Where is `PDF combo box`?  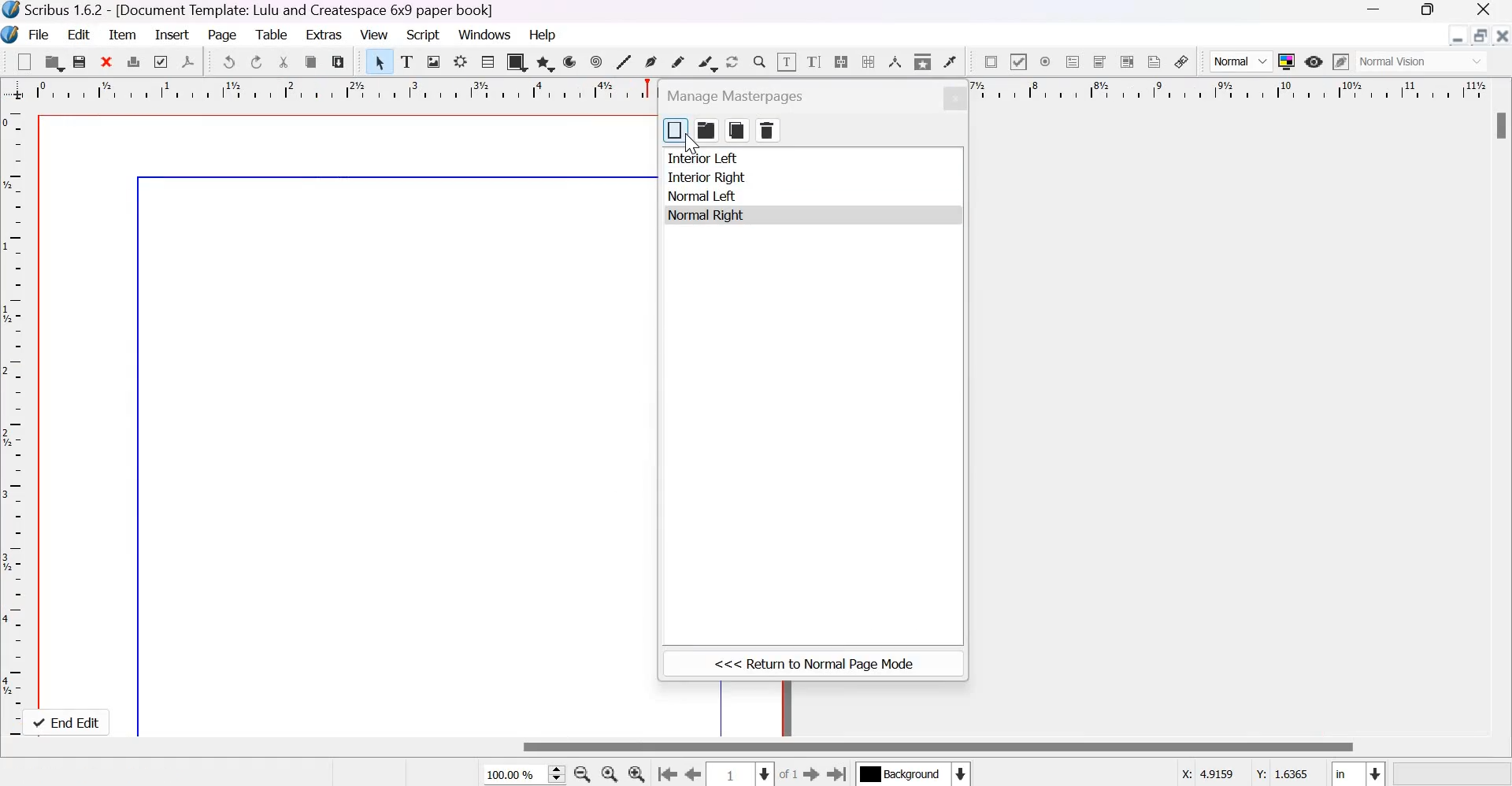 PDF combo box is located at coordinates (1099, 62).